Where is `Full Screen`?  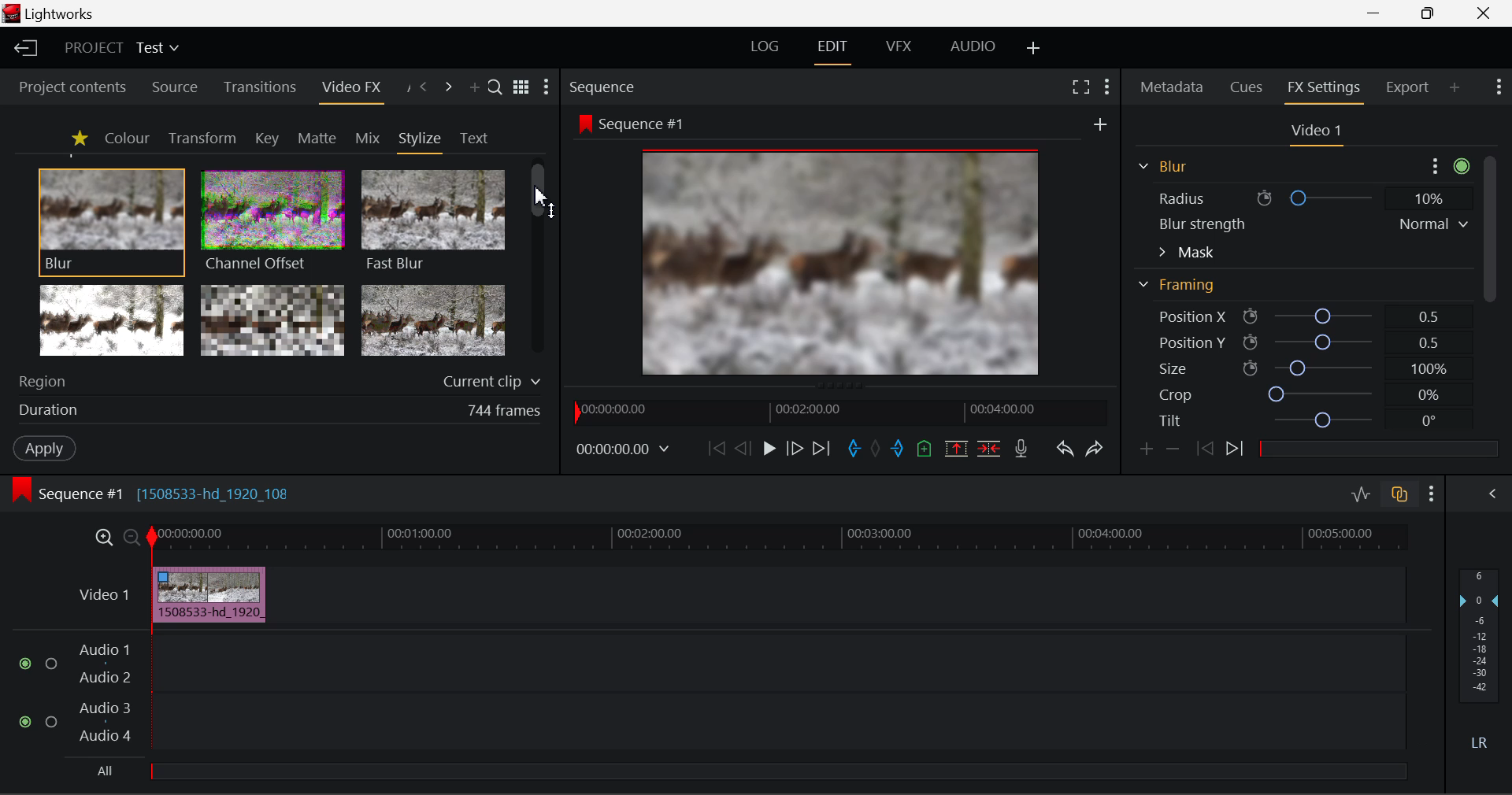 Full Screen is located at coordinates (1080, 87).